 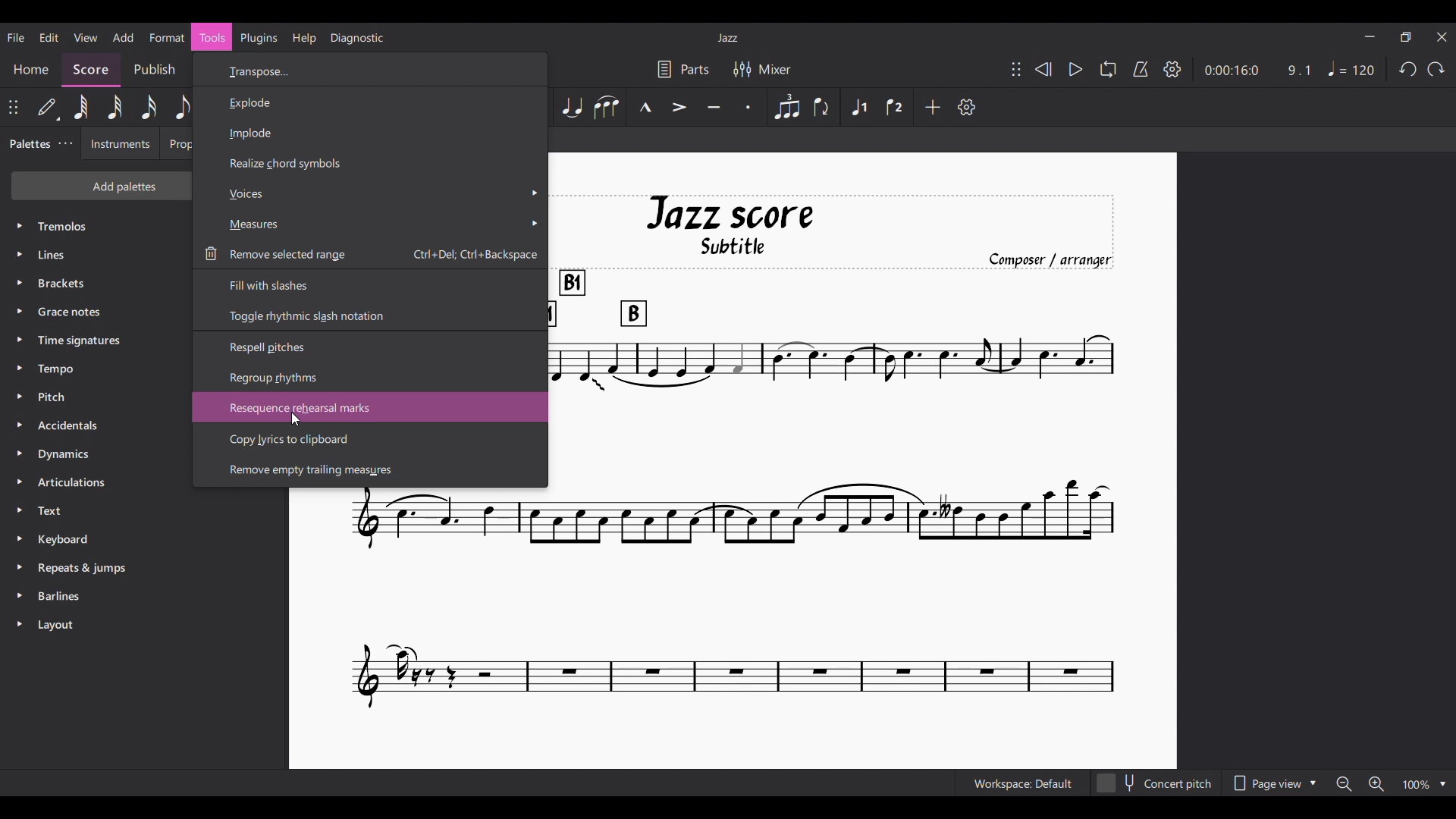 I want to click on Remove selected range, so click(x=370, y=253).